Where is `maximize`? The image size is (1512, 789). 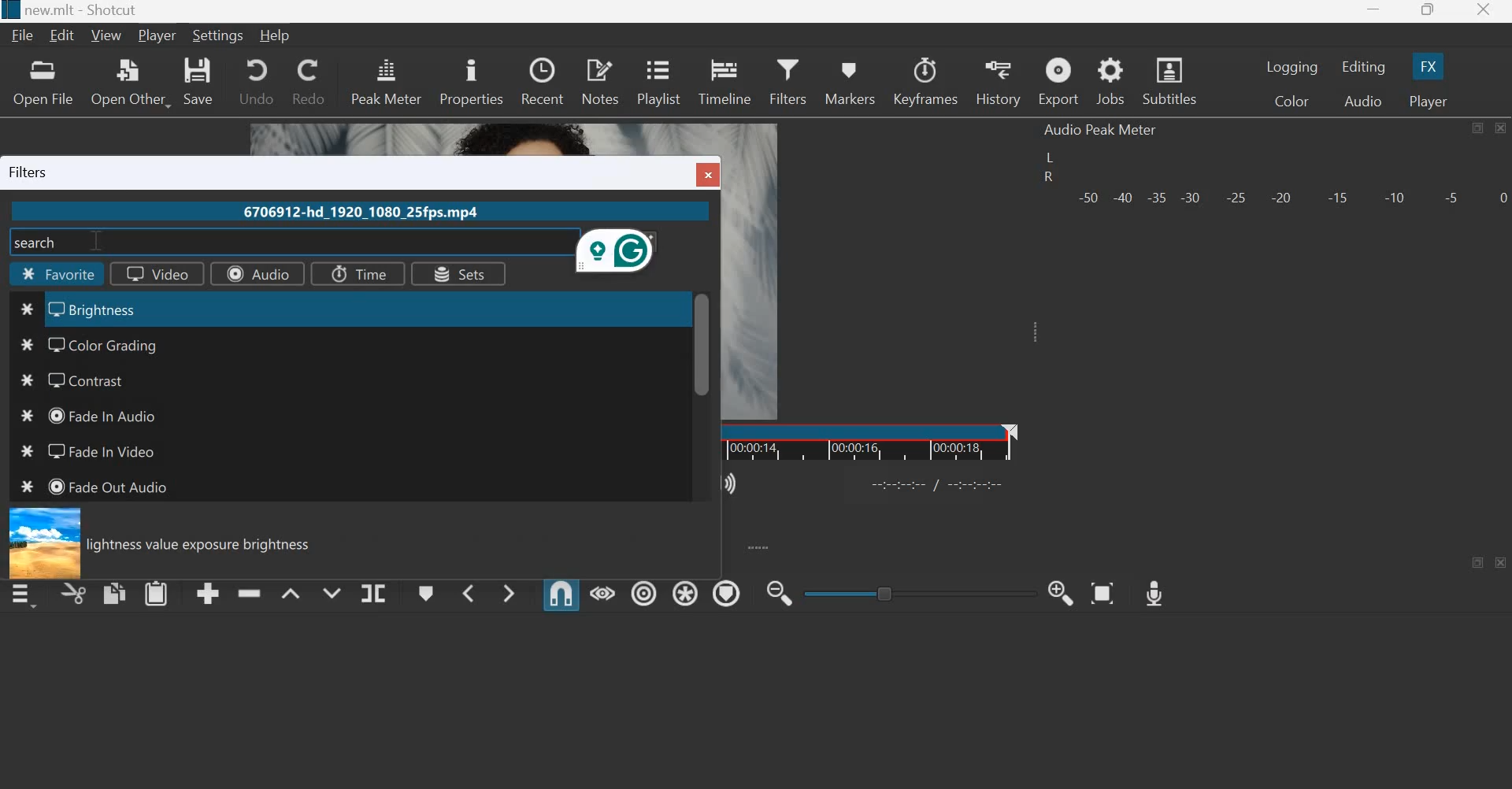 maximize is located at coordinates (1480, 562).